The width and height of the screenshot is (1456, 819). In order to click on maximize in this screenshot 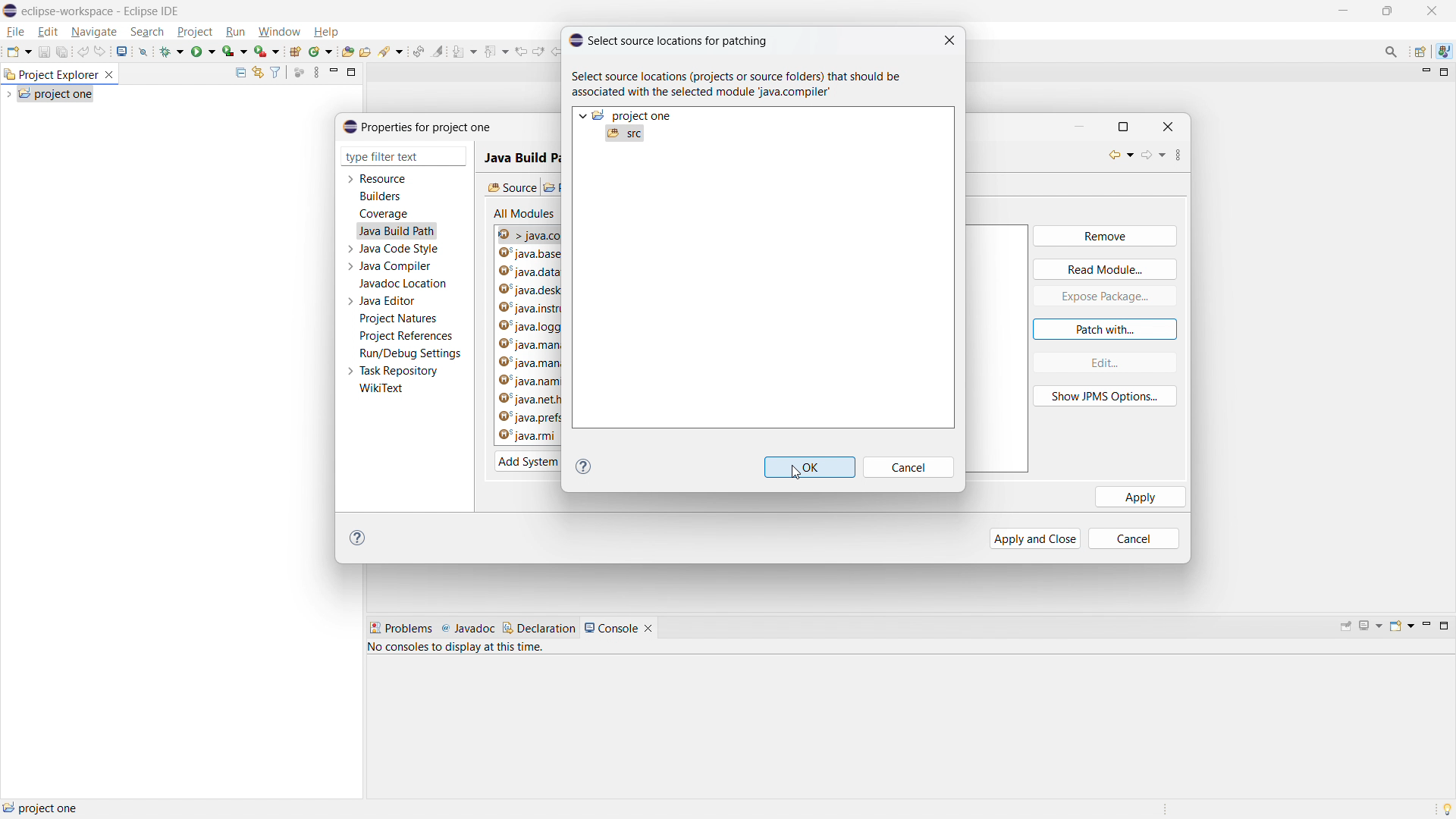, I will do `click(352, 71)`.